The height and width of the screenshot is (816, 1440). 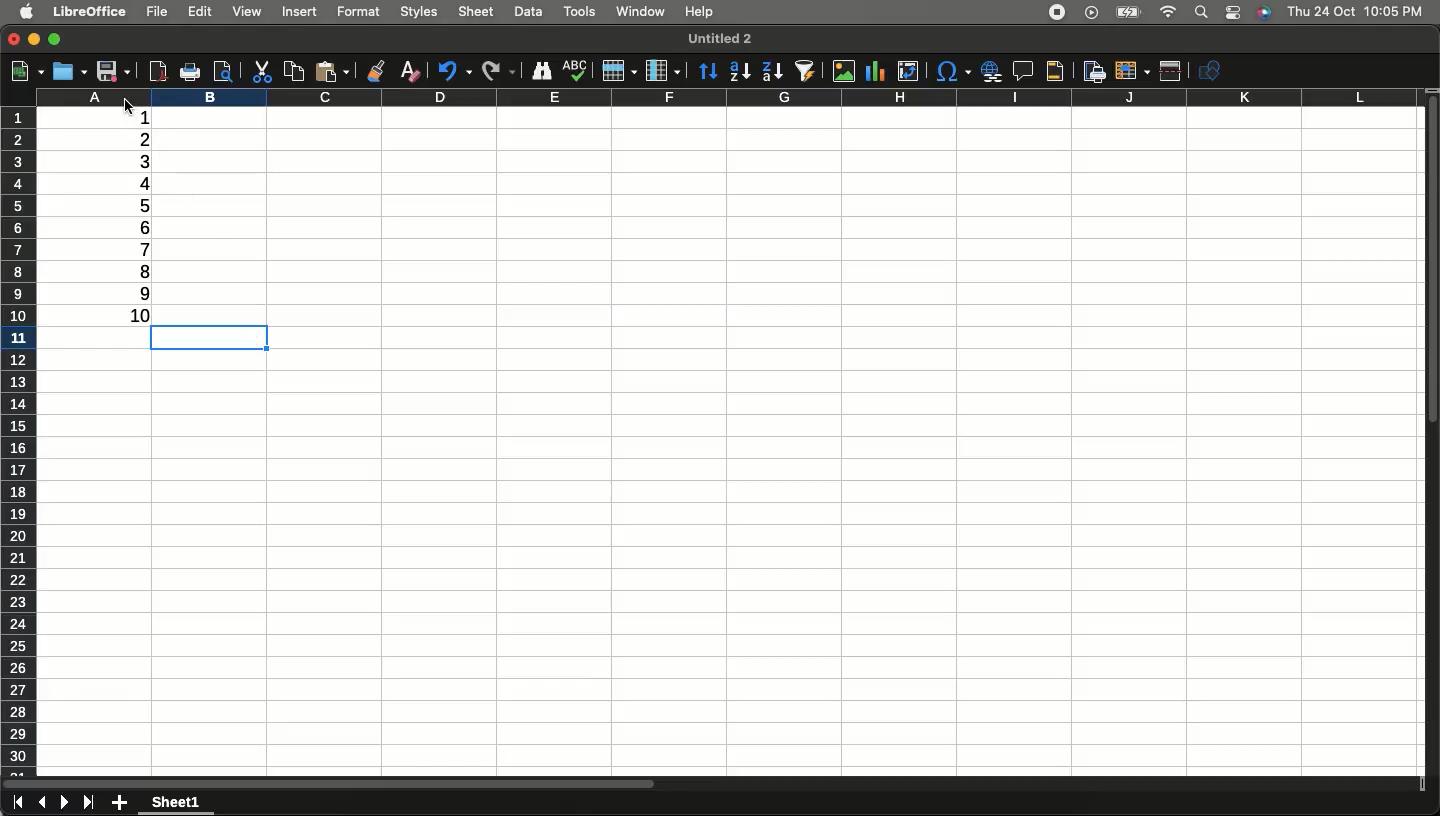 What do you see at coordinates (92, 12) in the screenshot?
I see `LibreOffice` at bounding box center [92, 12].